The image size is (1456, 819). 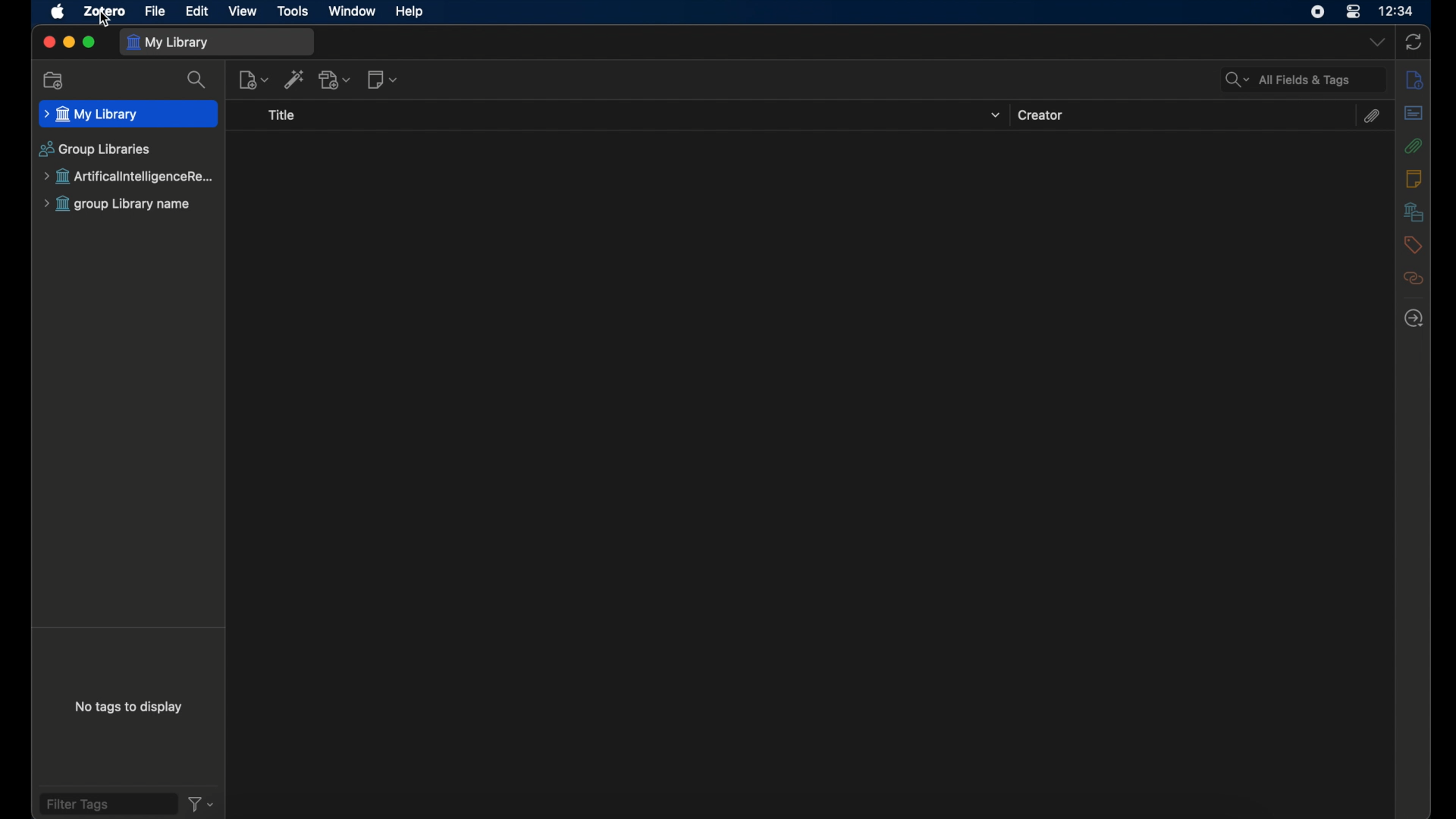 What do you see at coordinates (296, 80) in the screenshot?
I see `add items by identifier` at bounding box center [296, 80].